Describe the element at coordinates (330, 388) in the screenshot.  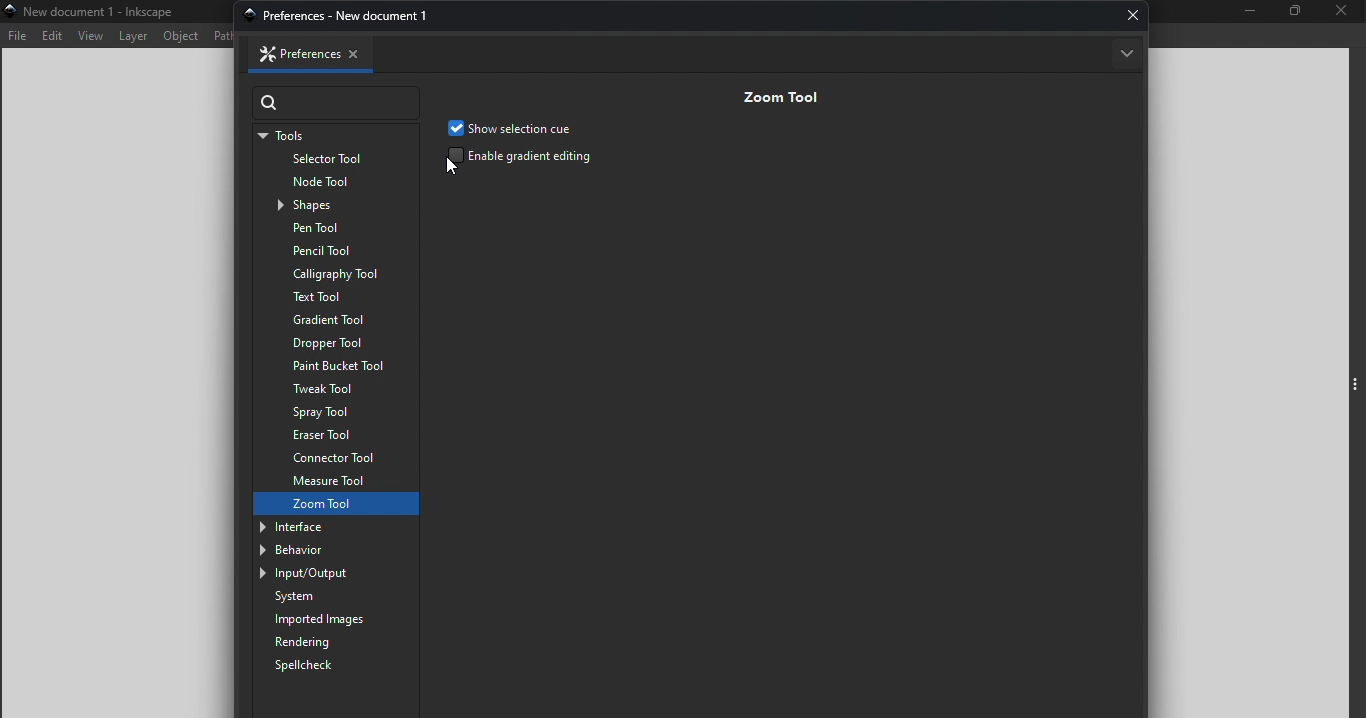
I see `Tweak tool` at that location.